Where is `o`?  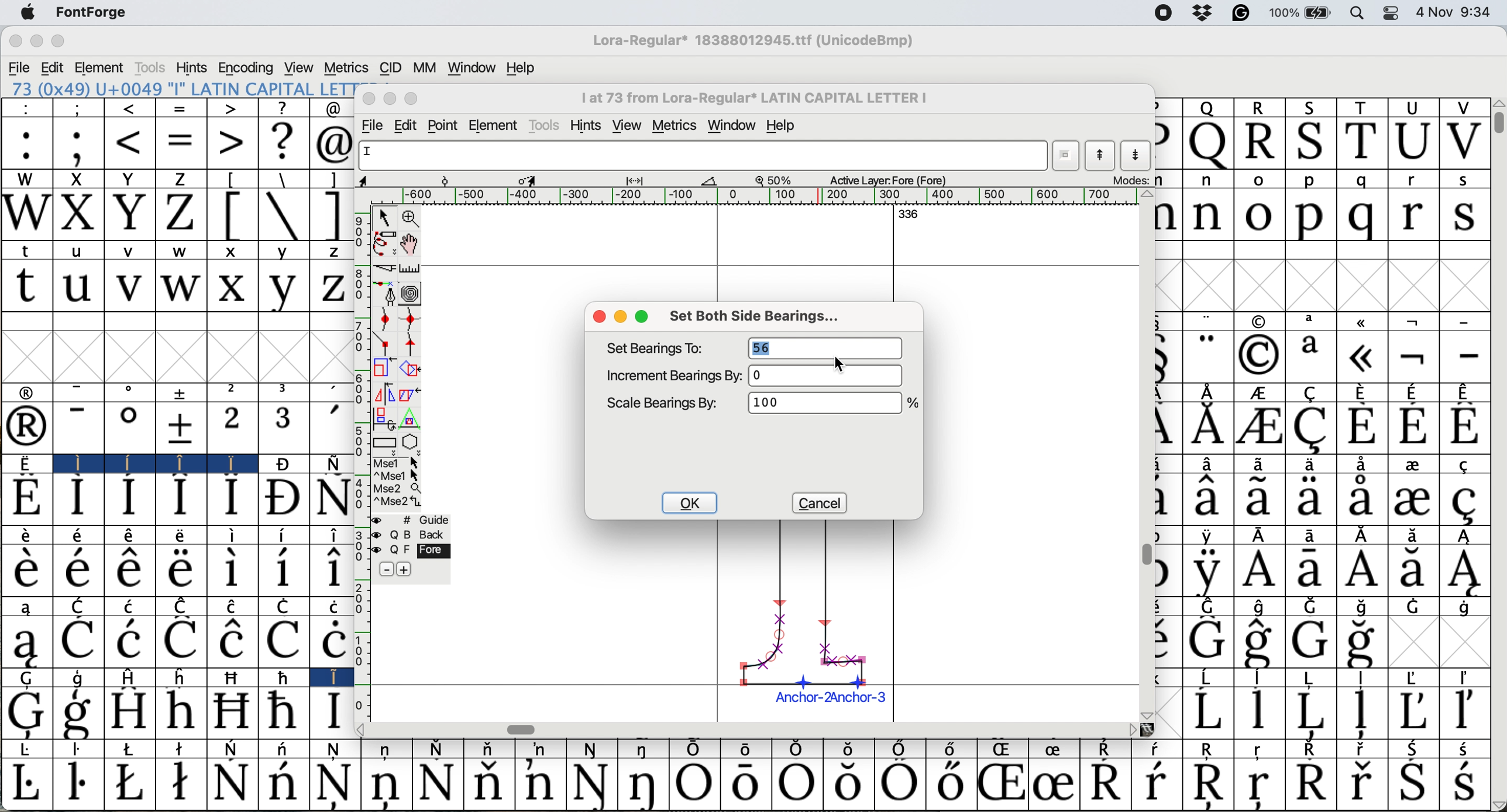
o is located at coordinates (1261, 214).